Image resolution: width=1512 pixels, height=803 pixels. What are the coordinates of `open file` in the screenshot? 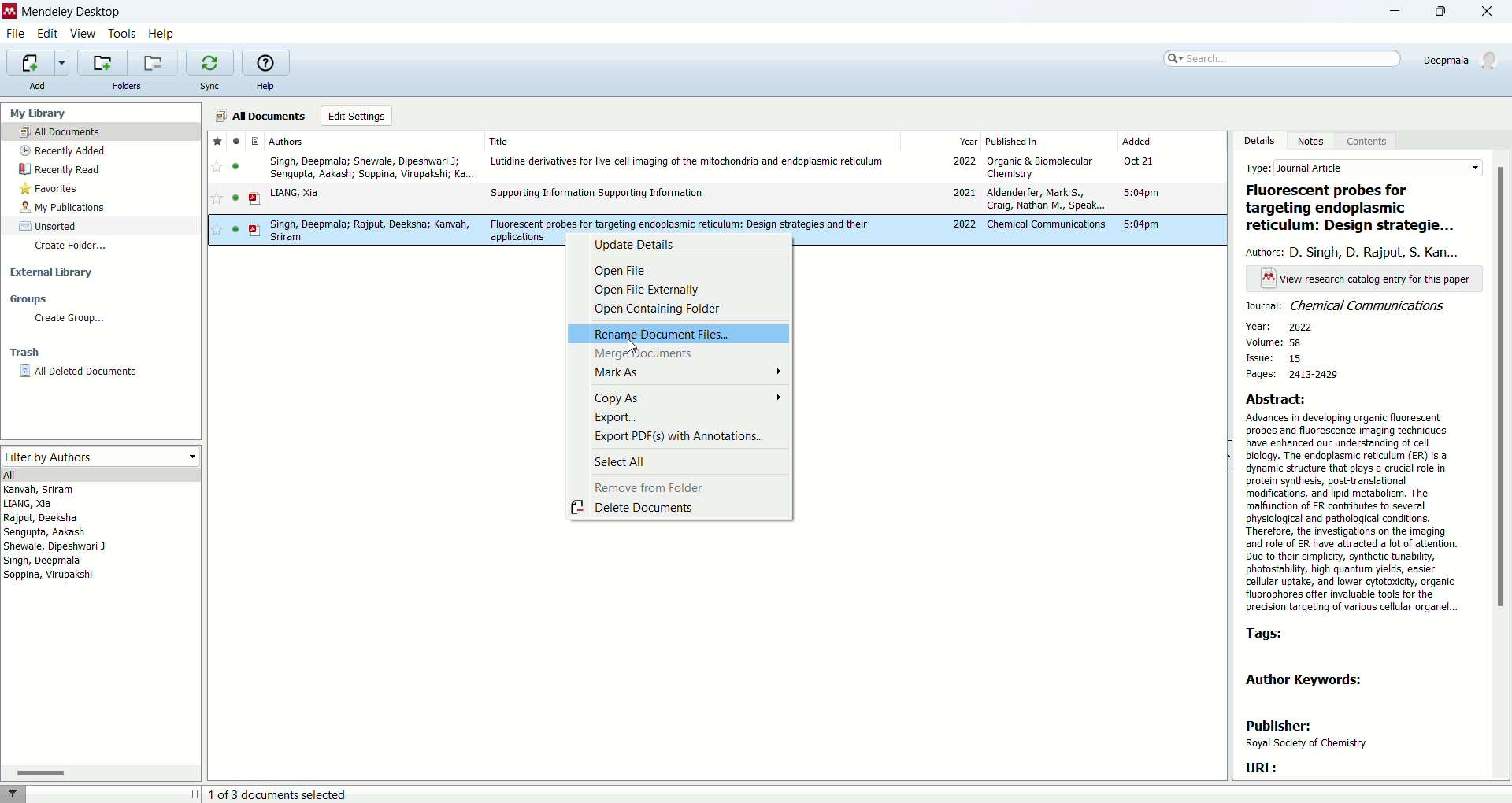 It's located at (682, 272).